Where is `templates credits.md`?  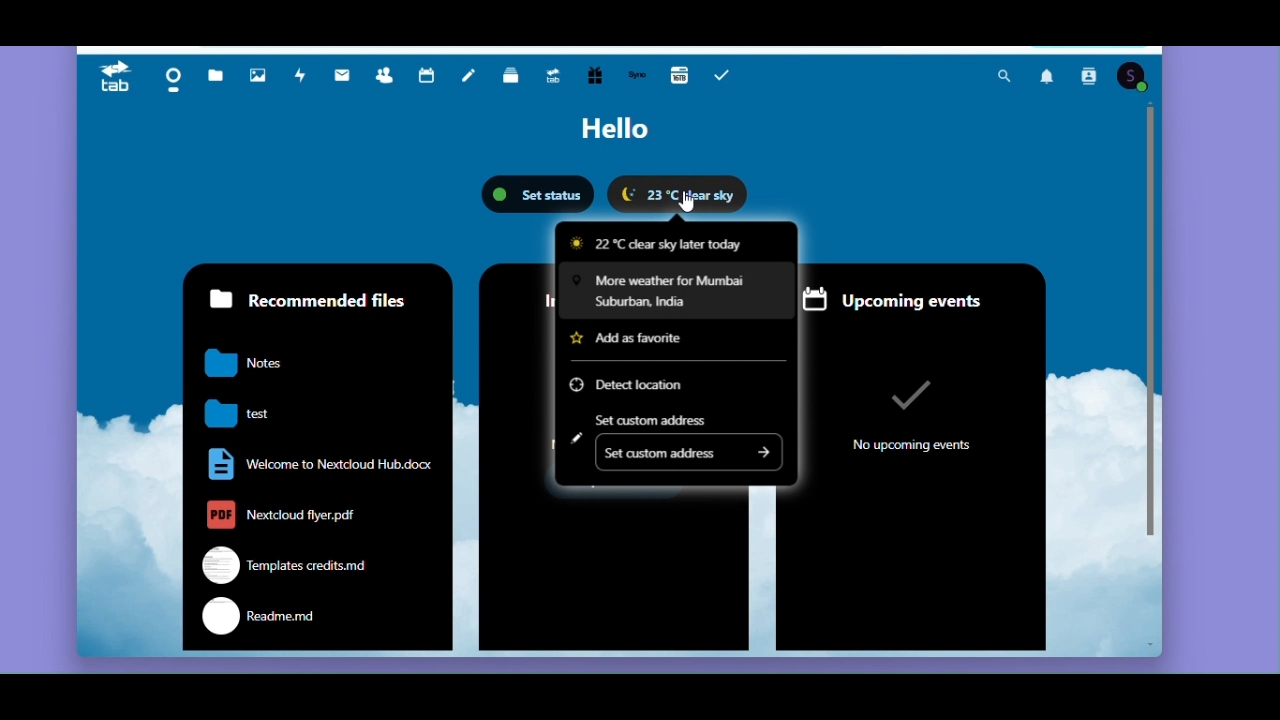 templates credits.md is located at coordinates (278, 564).